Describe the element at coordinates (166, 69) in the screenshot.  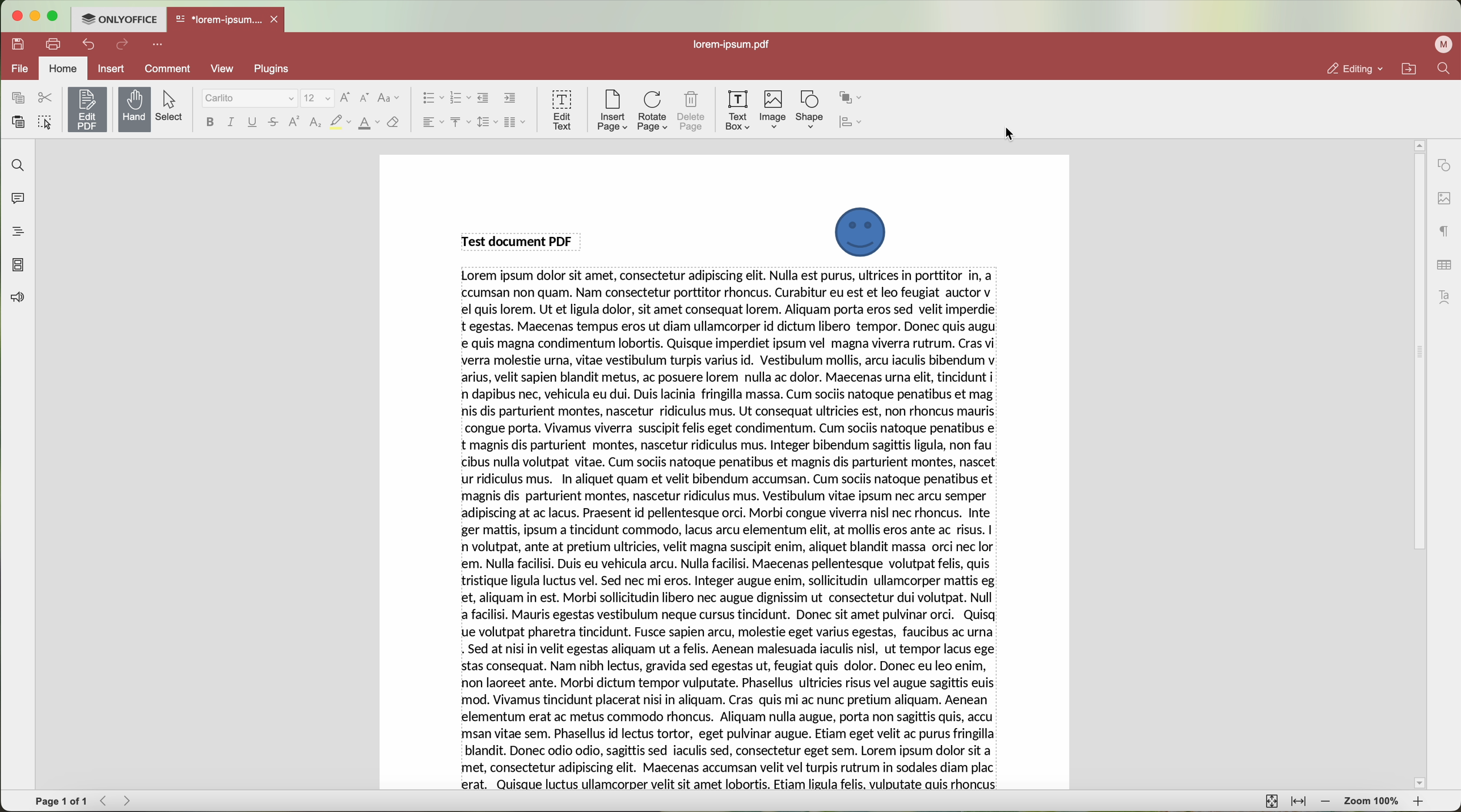
I see `comment` at that location.